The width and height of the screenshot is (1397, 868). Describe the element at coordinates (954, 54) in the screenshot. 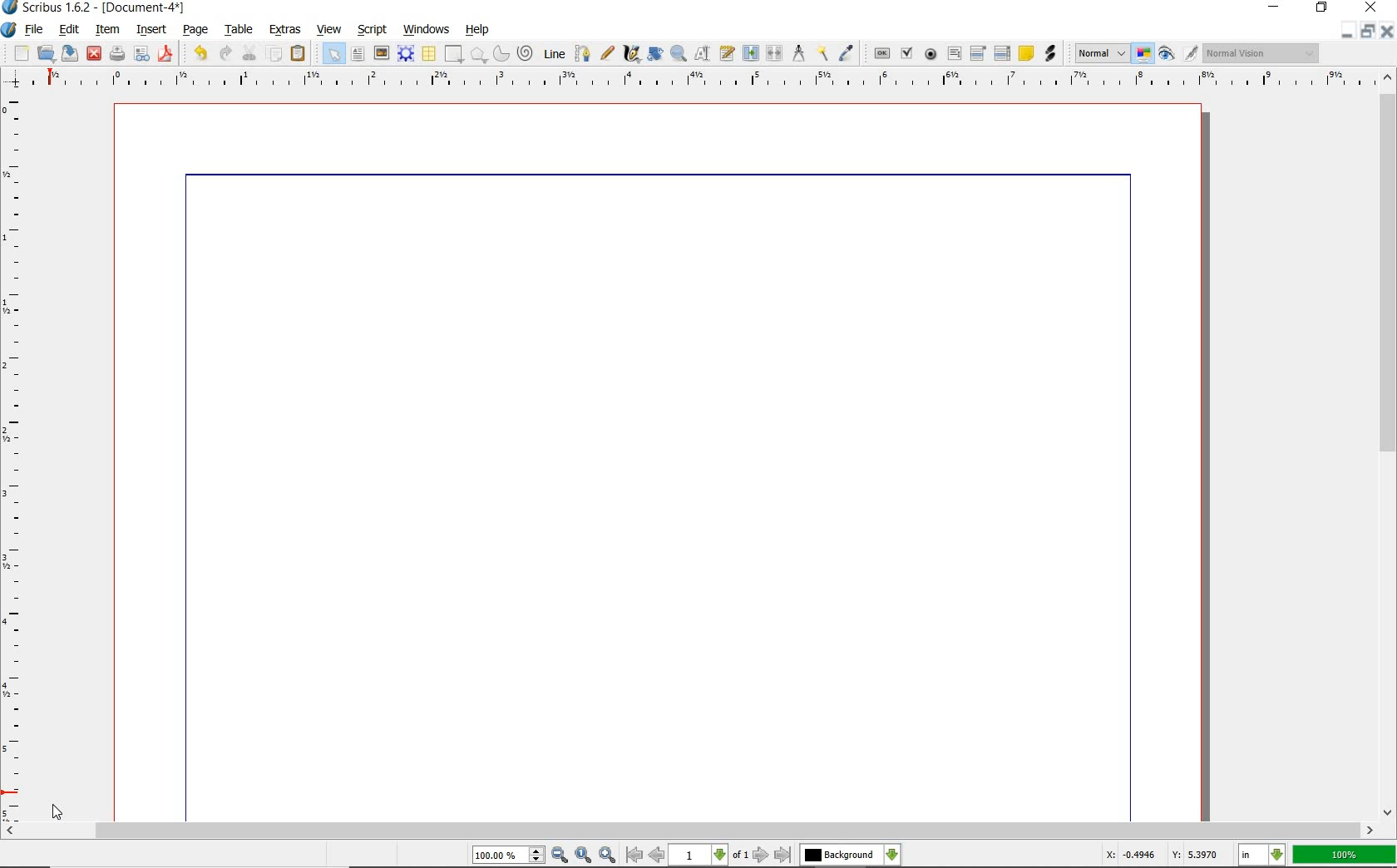

I see `pdf text field` at that location.